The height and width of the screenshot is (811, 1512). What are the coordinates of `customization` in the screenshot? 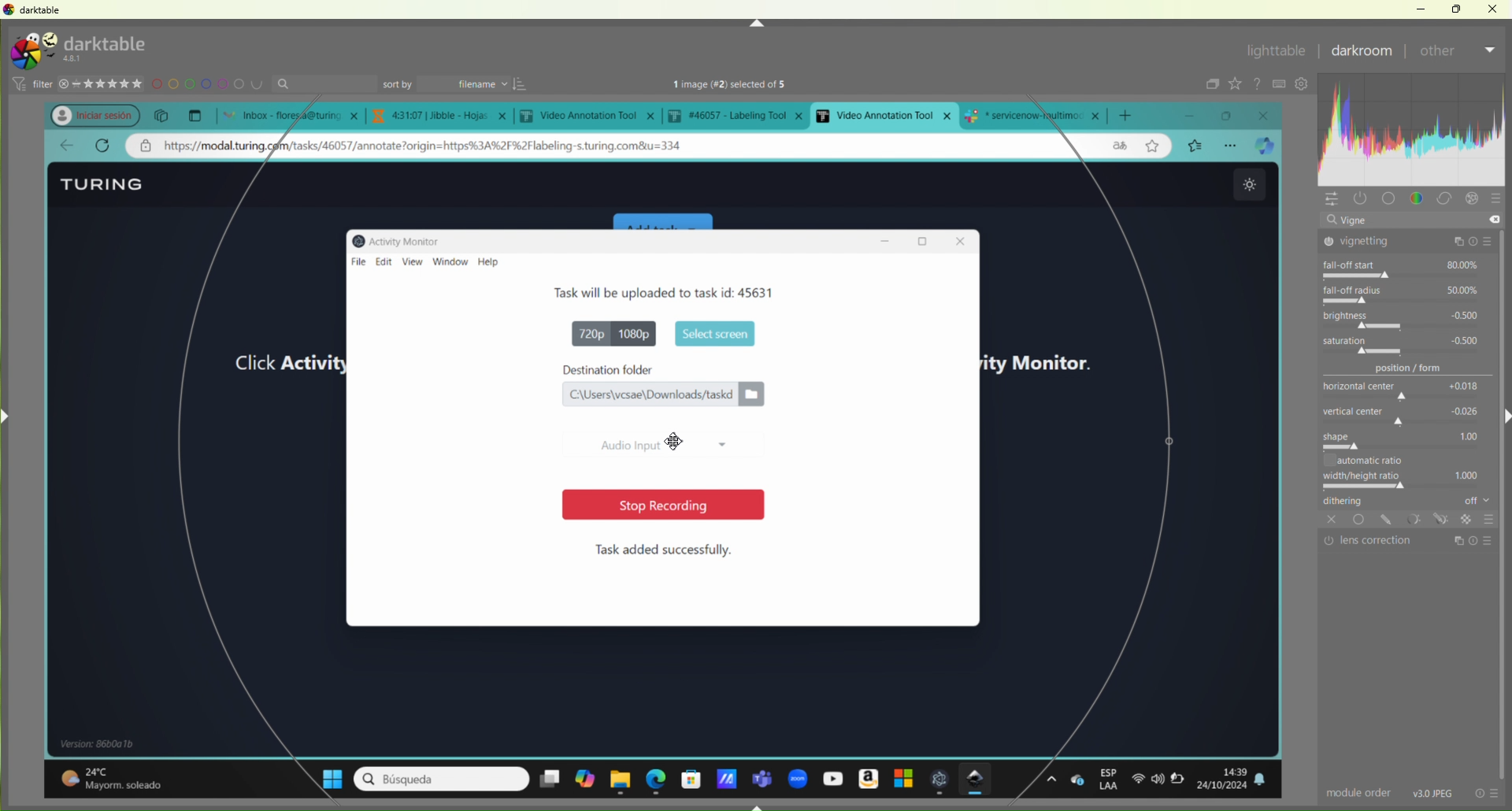 It's located at (1414, 141).